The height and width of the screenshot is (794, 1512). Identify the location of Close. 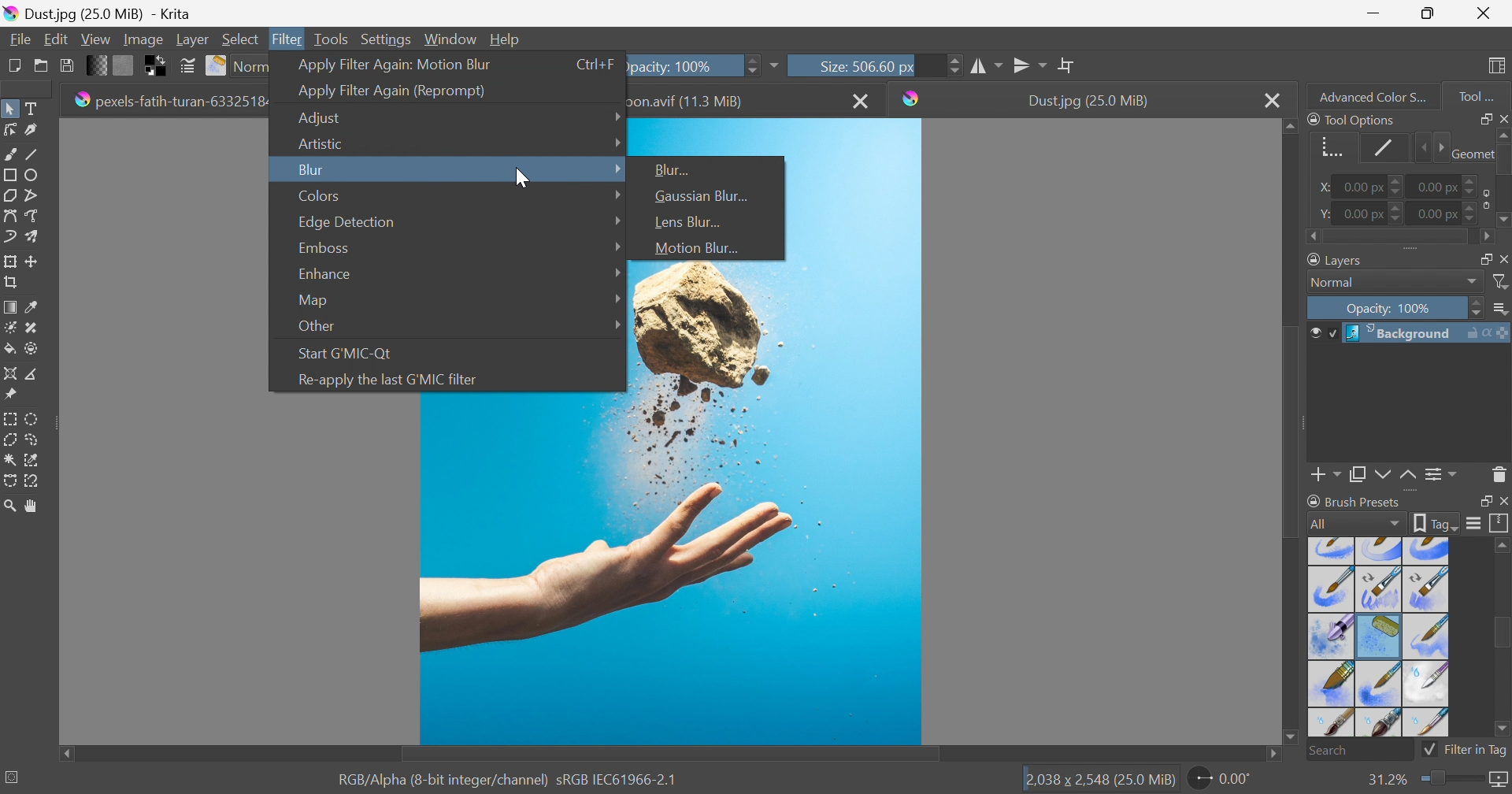
(1503, 117).